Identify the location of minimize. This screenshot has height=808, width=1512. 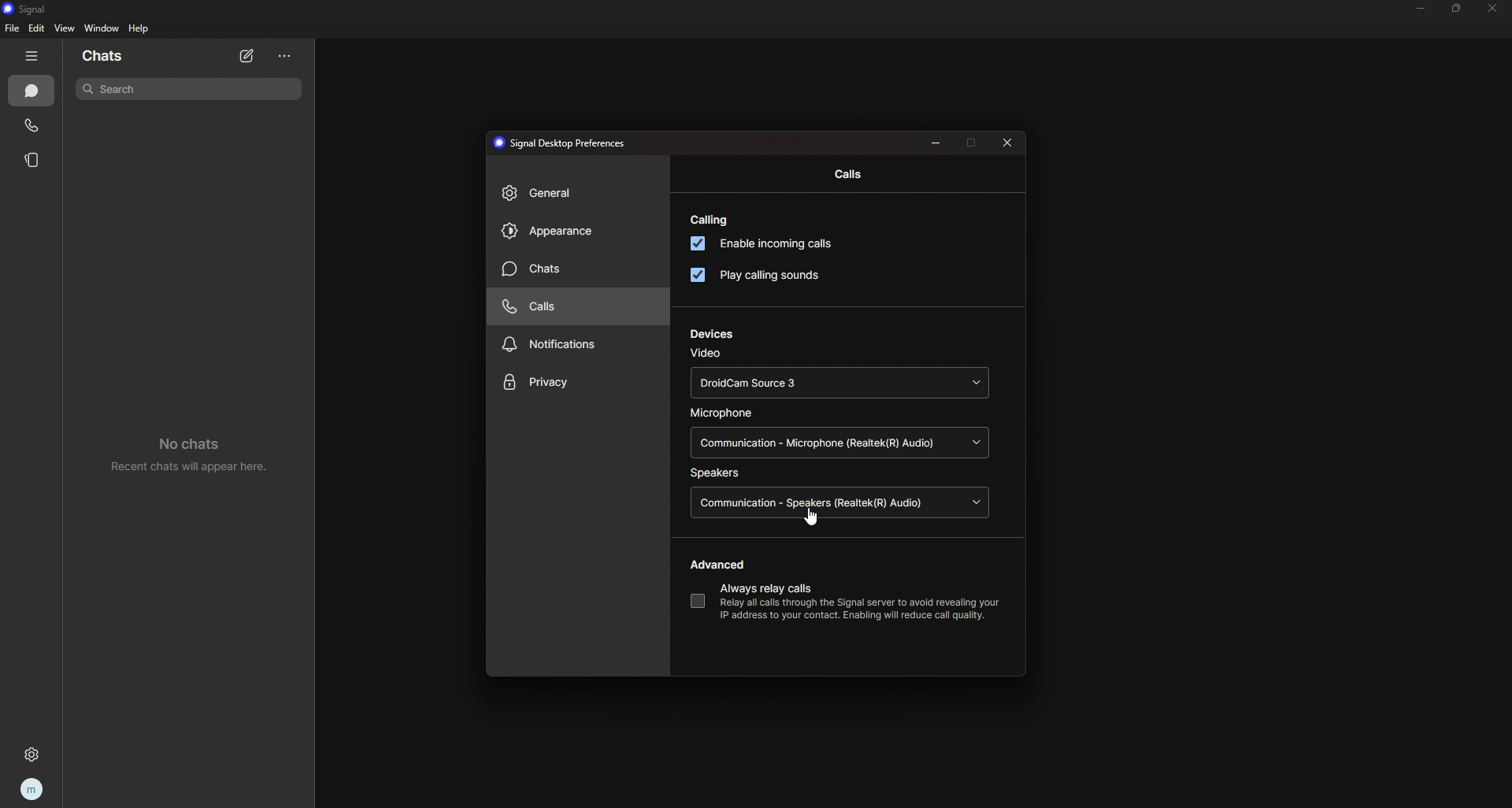
(1422, 8).